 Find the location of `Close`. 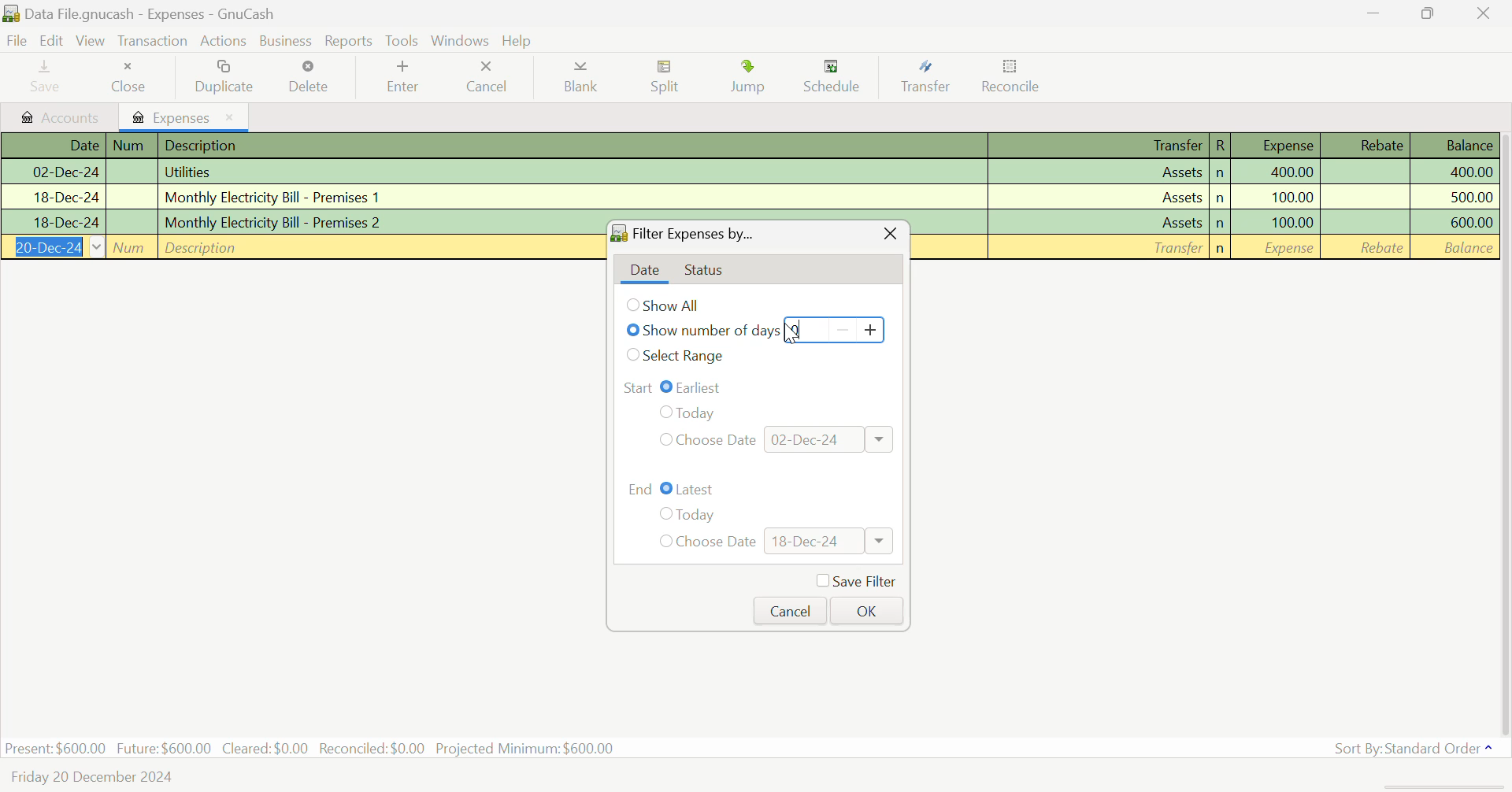

Close is located at coordinates (133, 77).